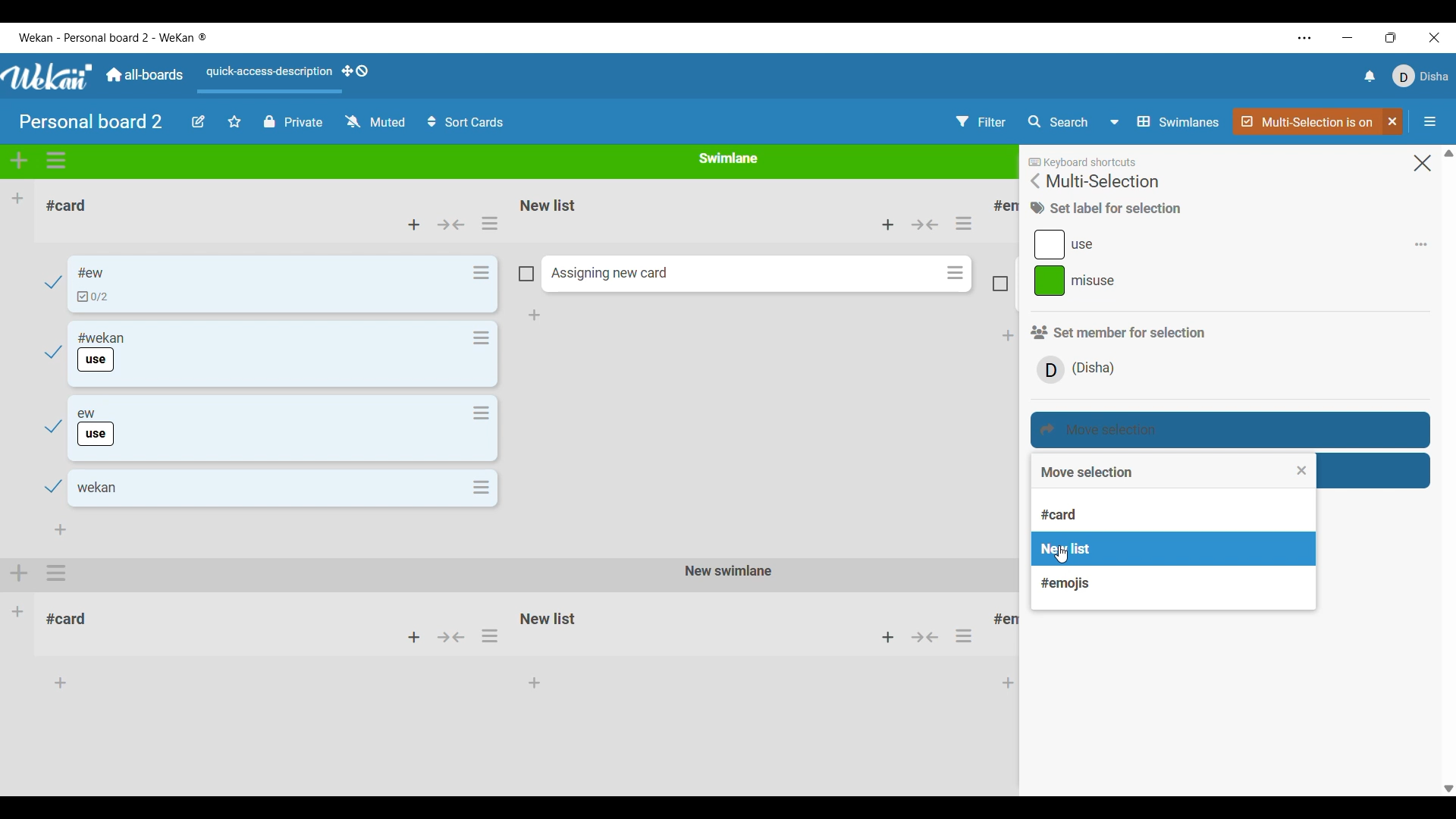 This screenshot has height=819, width=1456. Describe the element at coordinates (526, 274) in the screenshot. I see `Indicates card is not included in current selection` at that location.